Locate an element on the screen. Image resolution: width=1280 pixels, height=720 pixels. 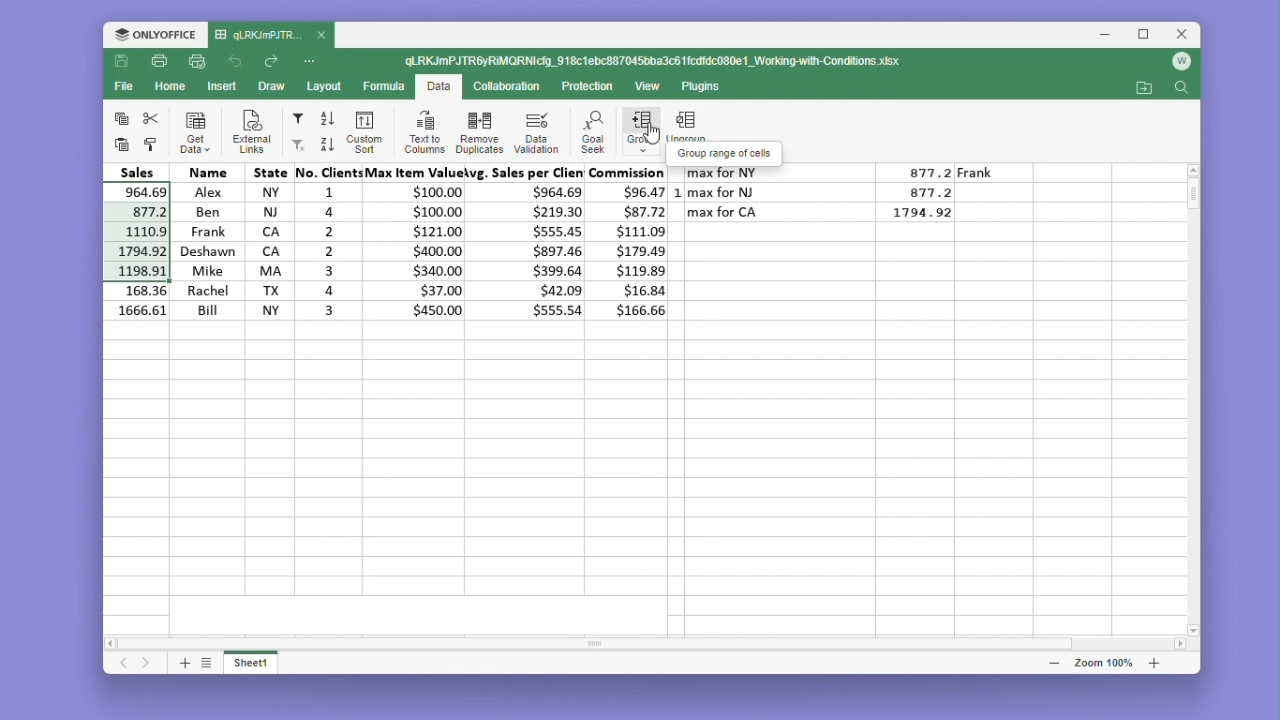
paste formatting is located at coordinates (151, 145).